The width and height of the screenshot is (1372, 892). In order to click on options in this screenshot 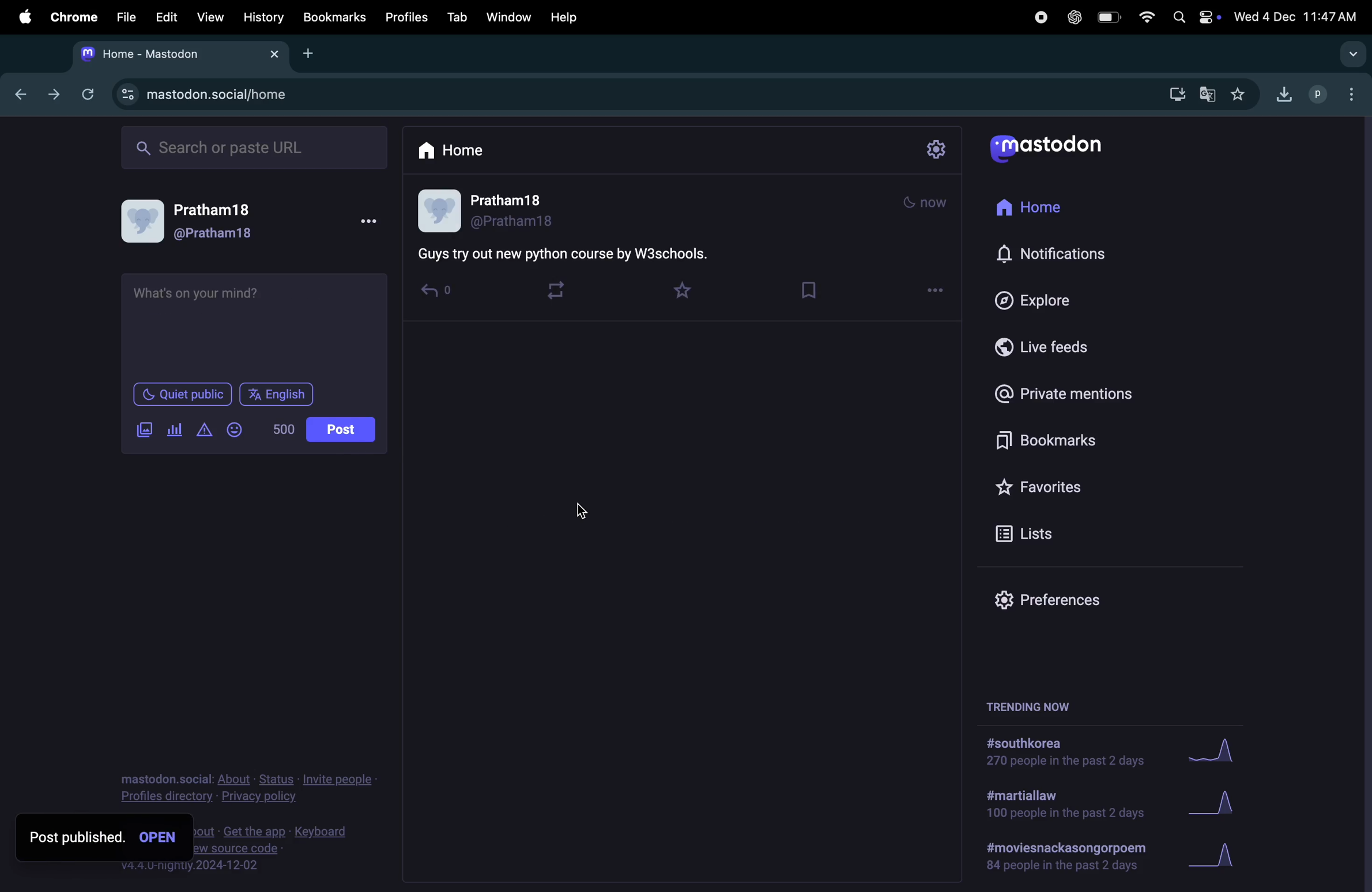, I will do `click(378, 222)`.